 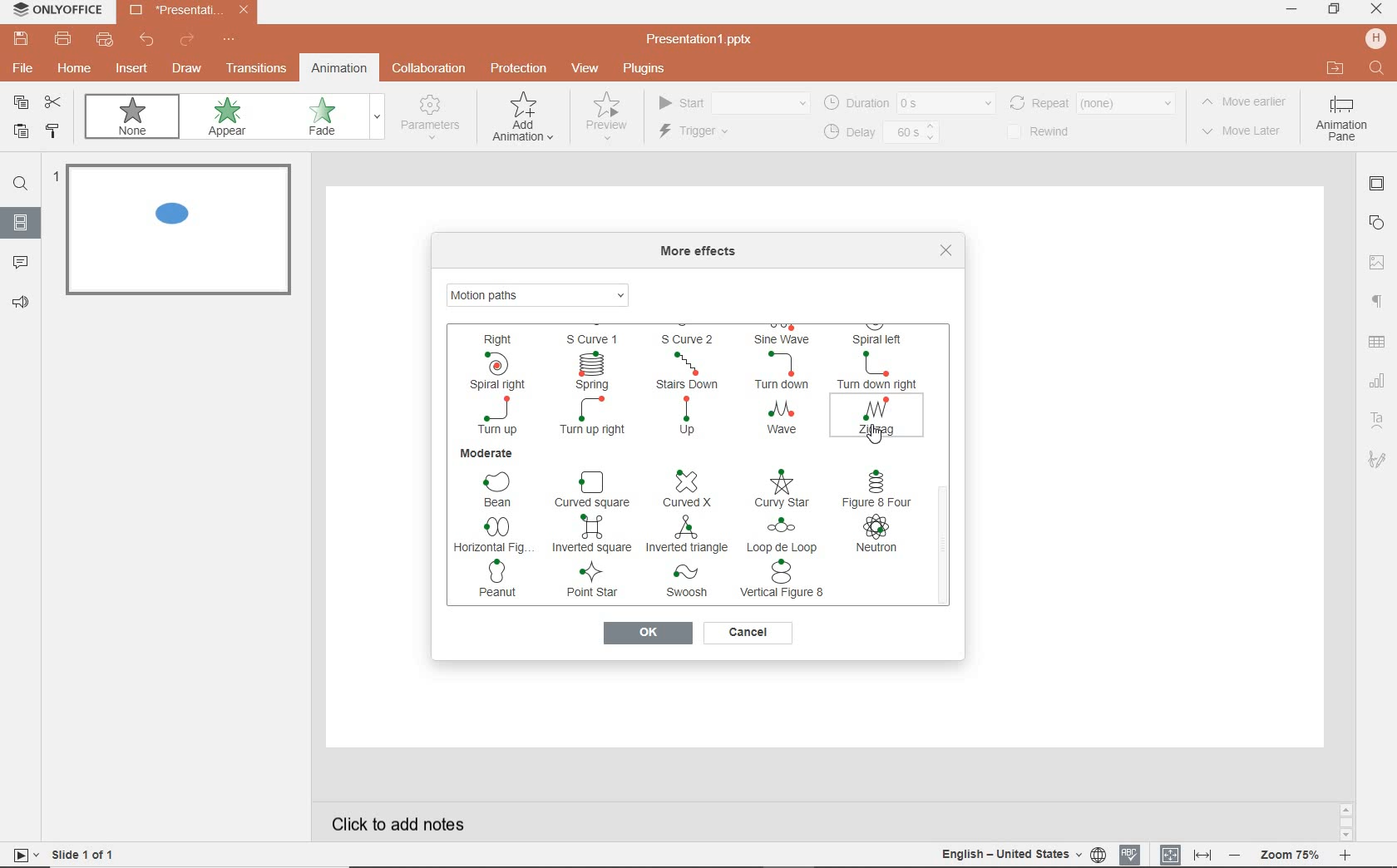 I want to click on collaboration, so click(x=431, y=69).